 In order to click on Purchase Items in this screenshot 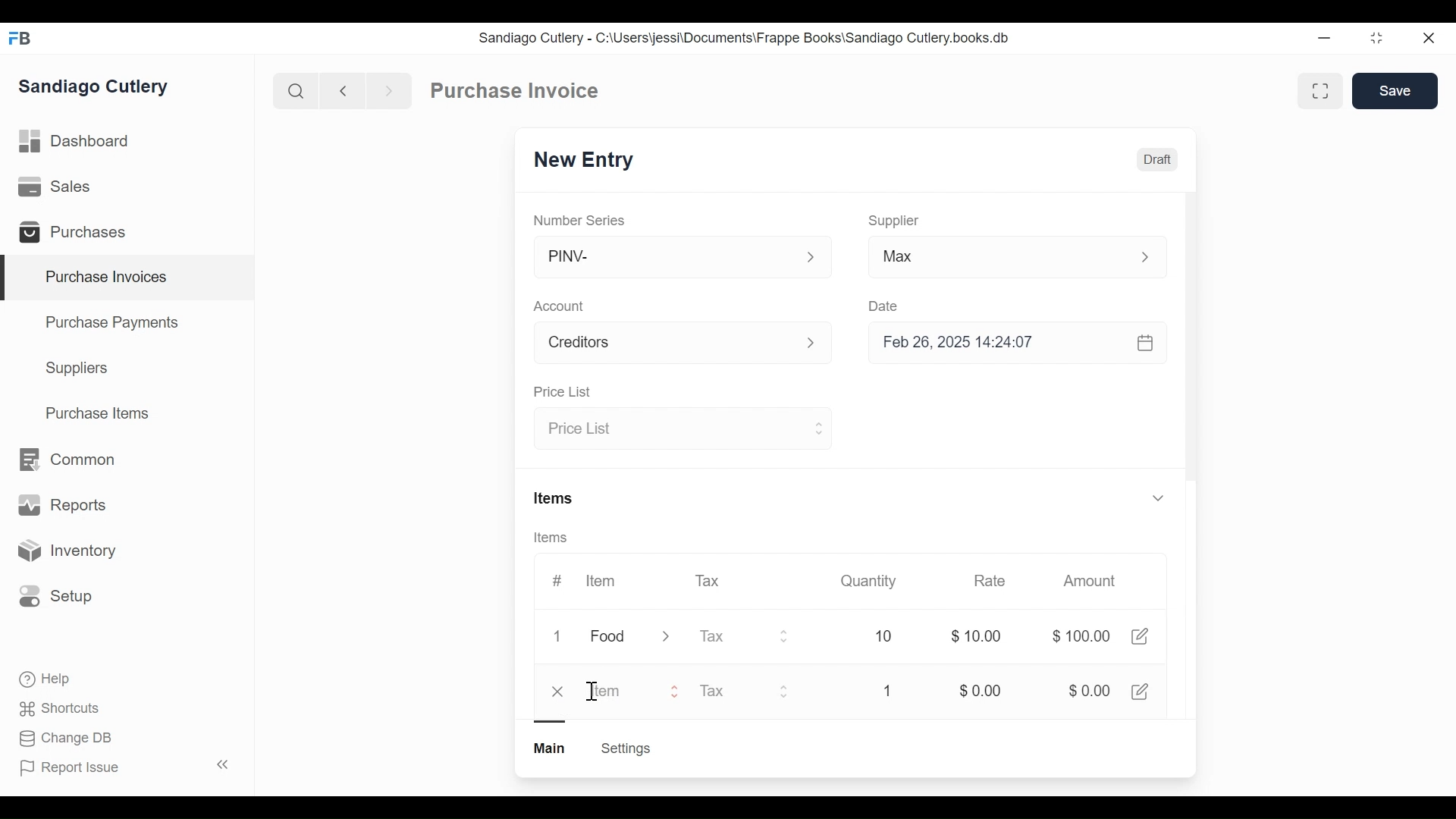, I will do `click(98, 415)`.